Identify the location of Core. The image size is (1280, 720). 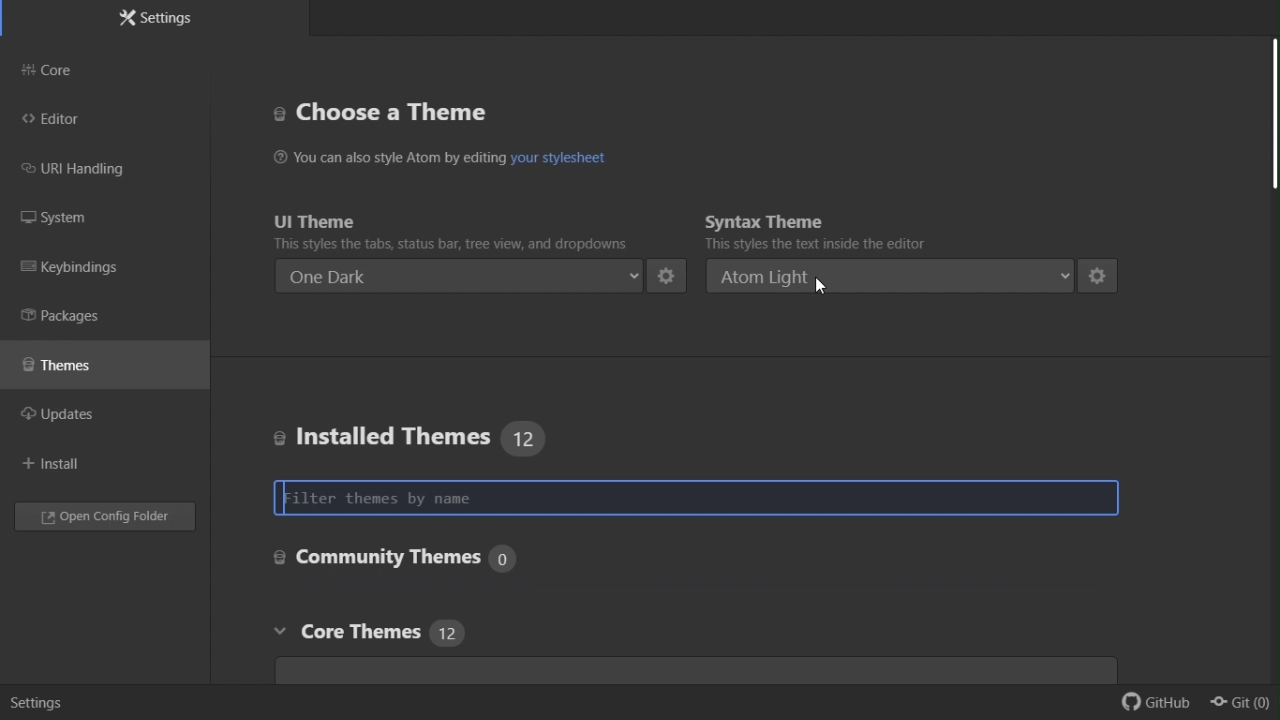
(60, 66).